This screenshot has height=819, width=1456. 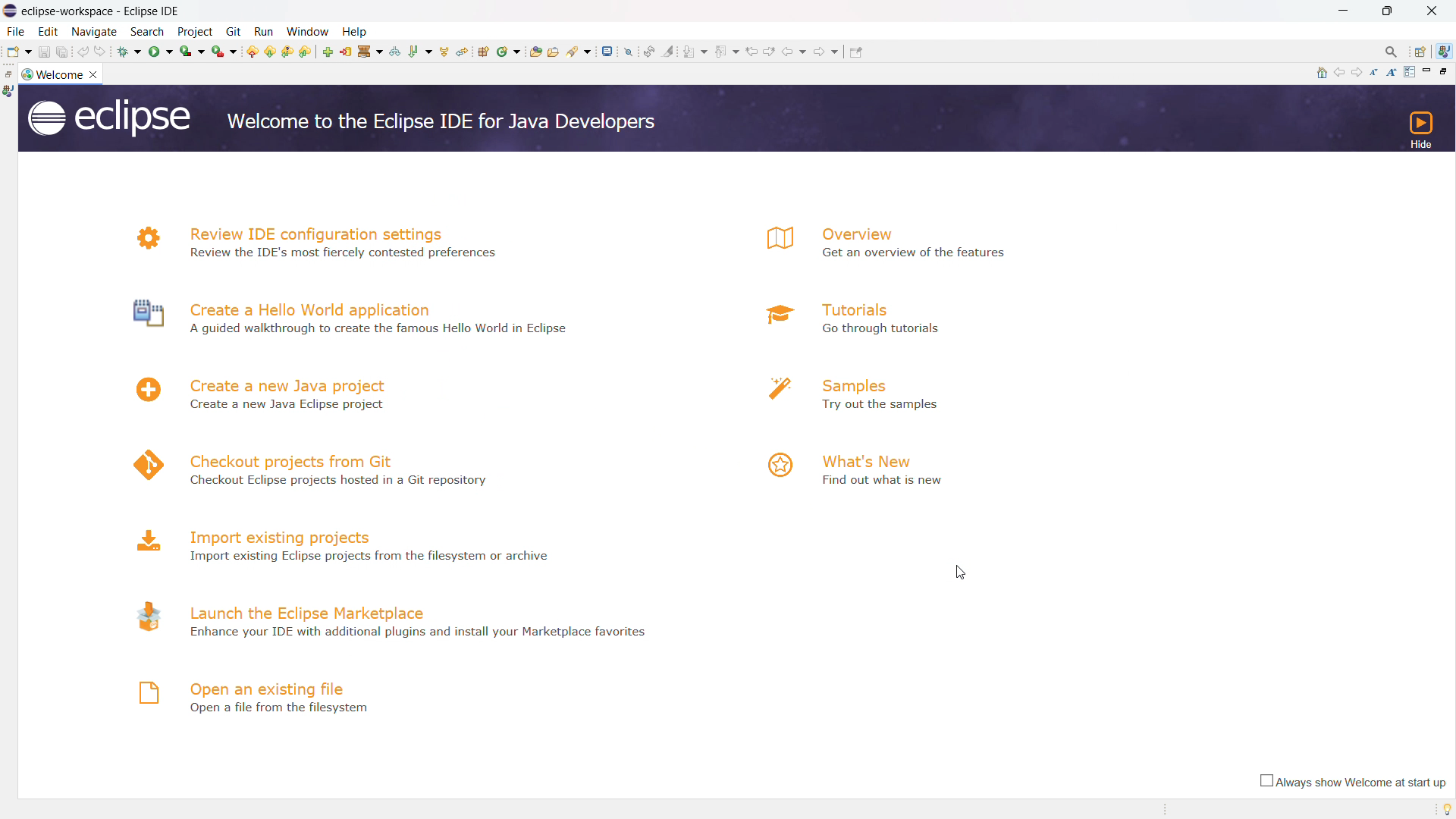 I want to click on restore, so click(x=1447, y=71).